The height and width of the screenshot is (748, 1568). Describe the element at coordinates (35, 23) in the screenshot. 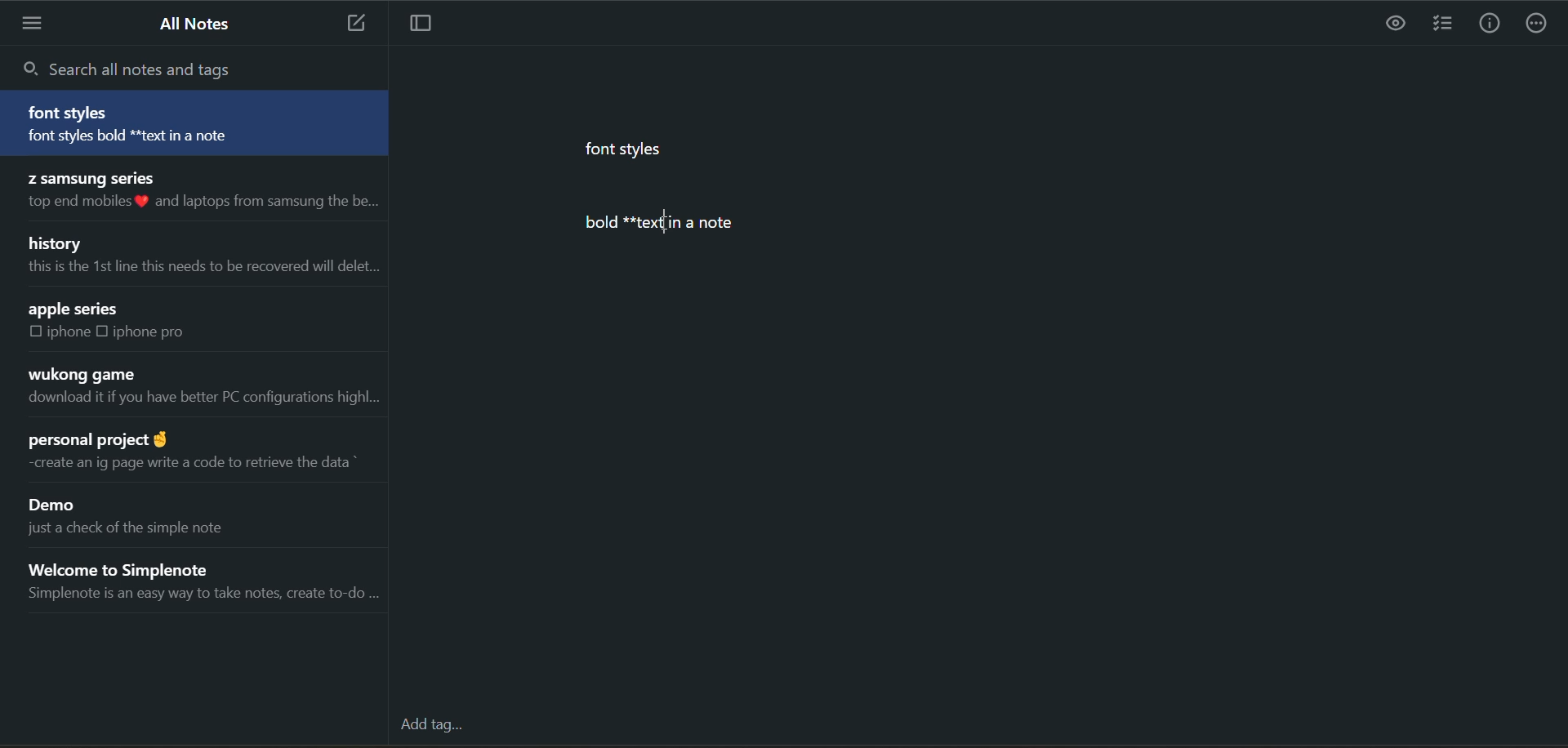

I see `menu` at that location.